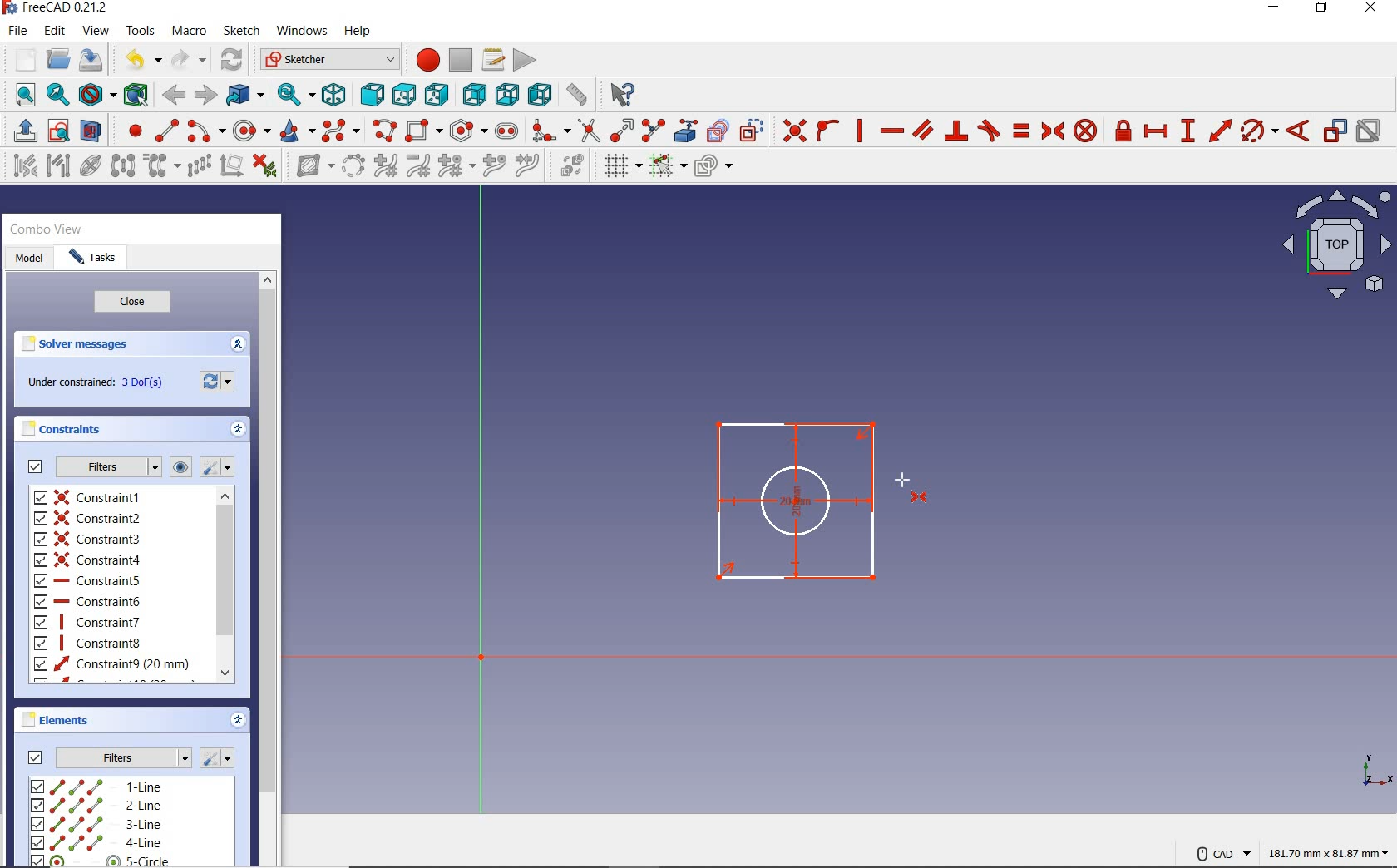 Image resolution: width=1397 pixels, height=868 pixels. I want to click on 181.70 mm x 81.87 mm, so click(1330, 855).